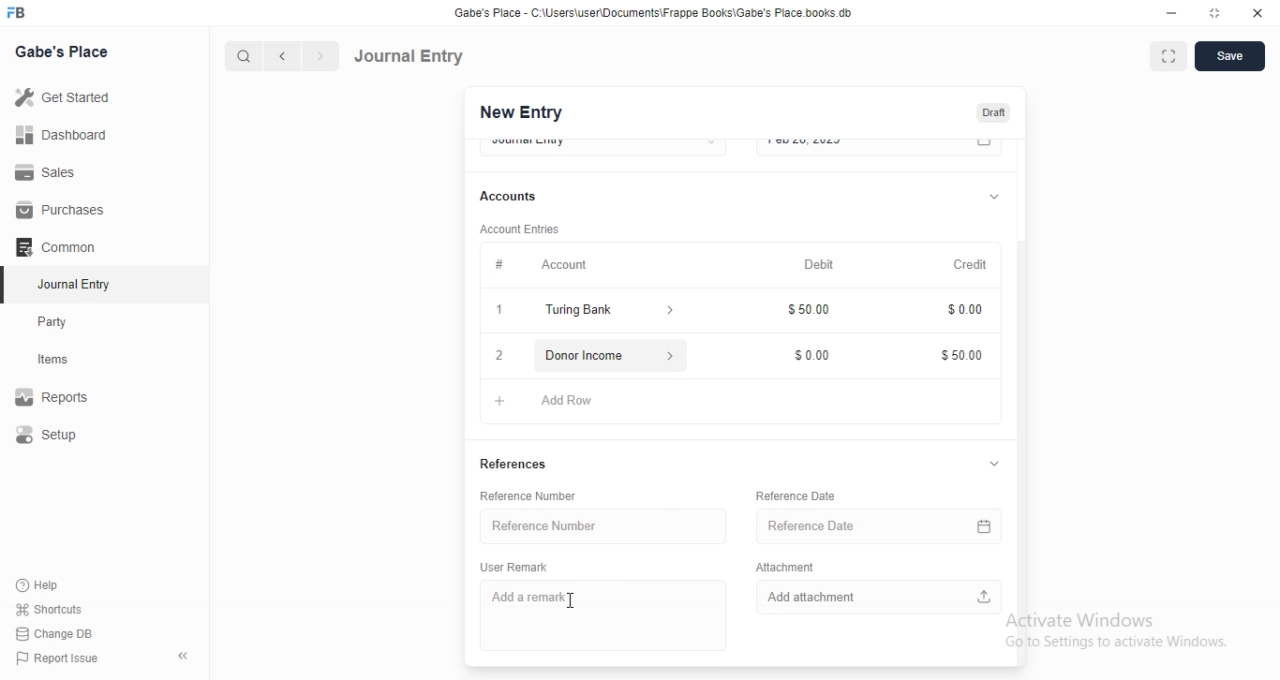  What do you see at coordinates (557, 398) in the screenshot?
I see `Add Row` at bounding box center [557, 398].